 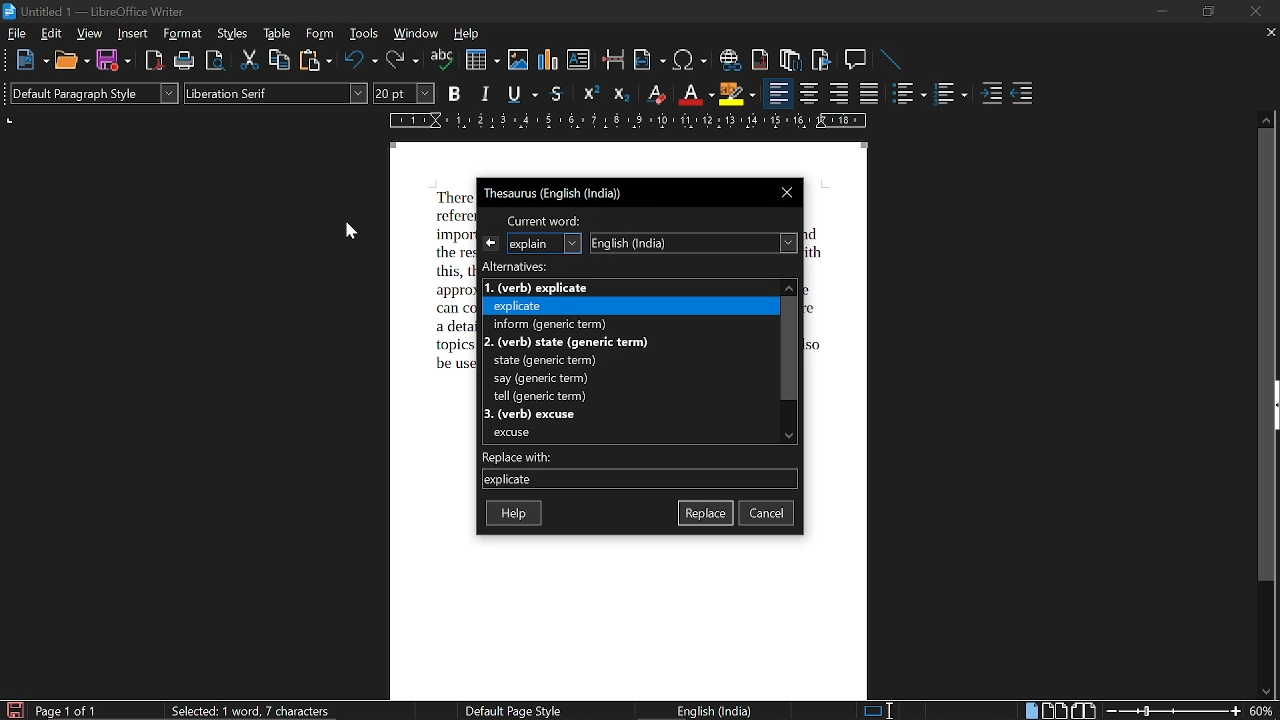 I want to click on cursor, so click(x=350, y=231).